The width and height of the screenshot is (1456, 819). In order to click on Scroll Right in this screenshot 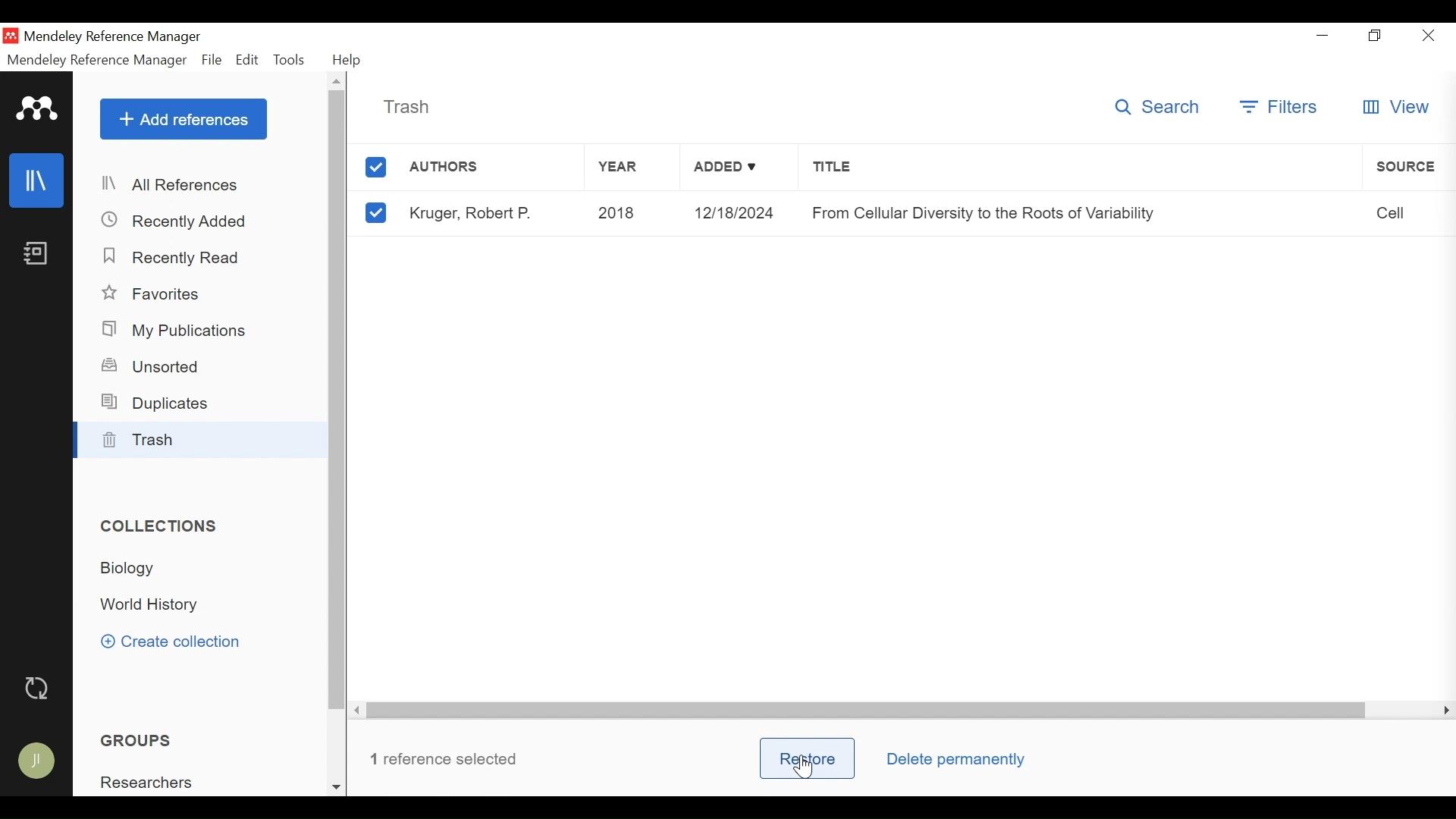, I will do `click(1447, 711)`.